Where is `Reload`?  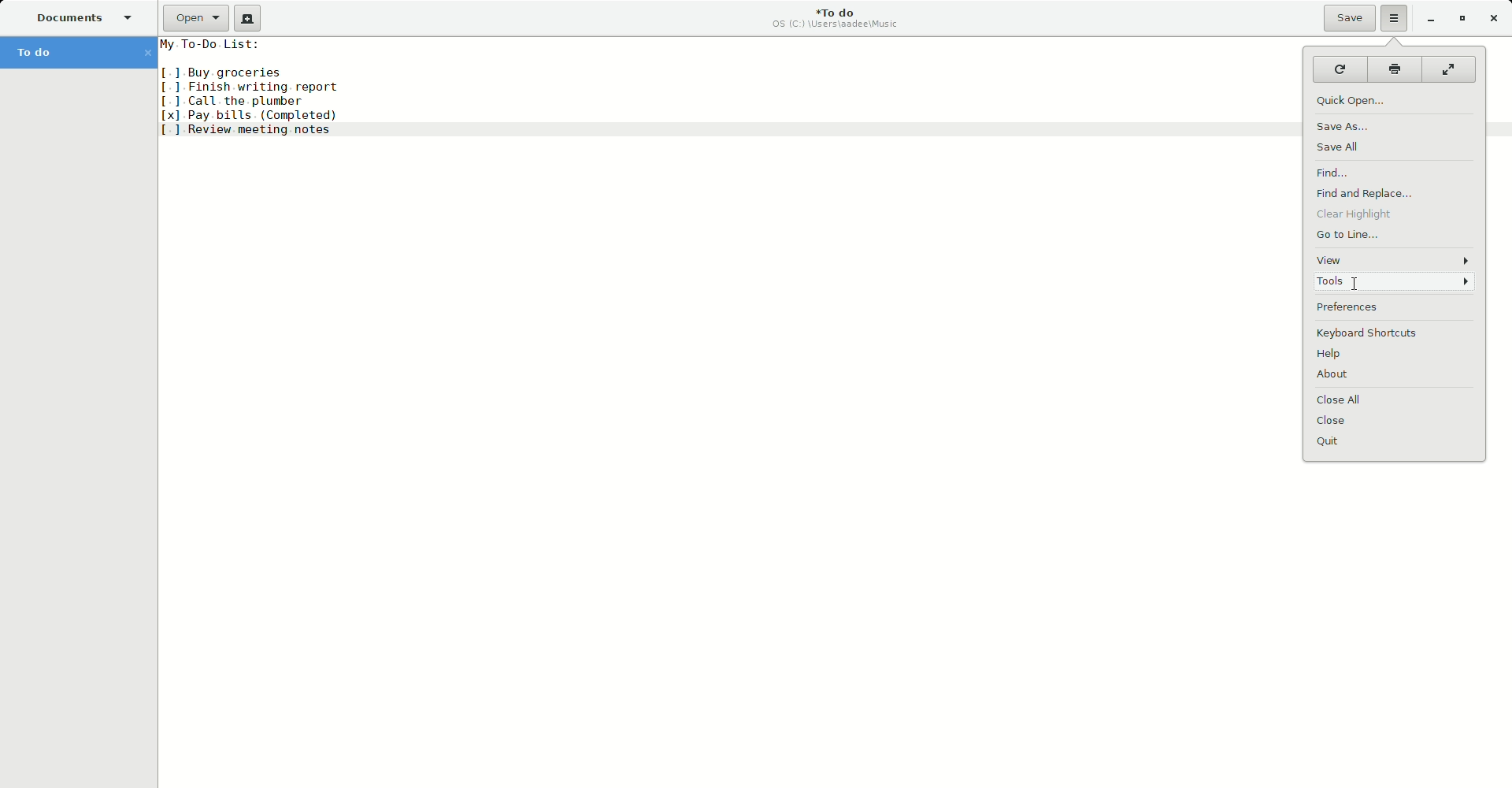 Reload is located at coordinates (1338, 71).